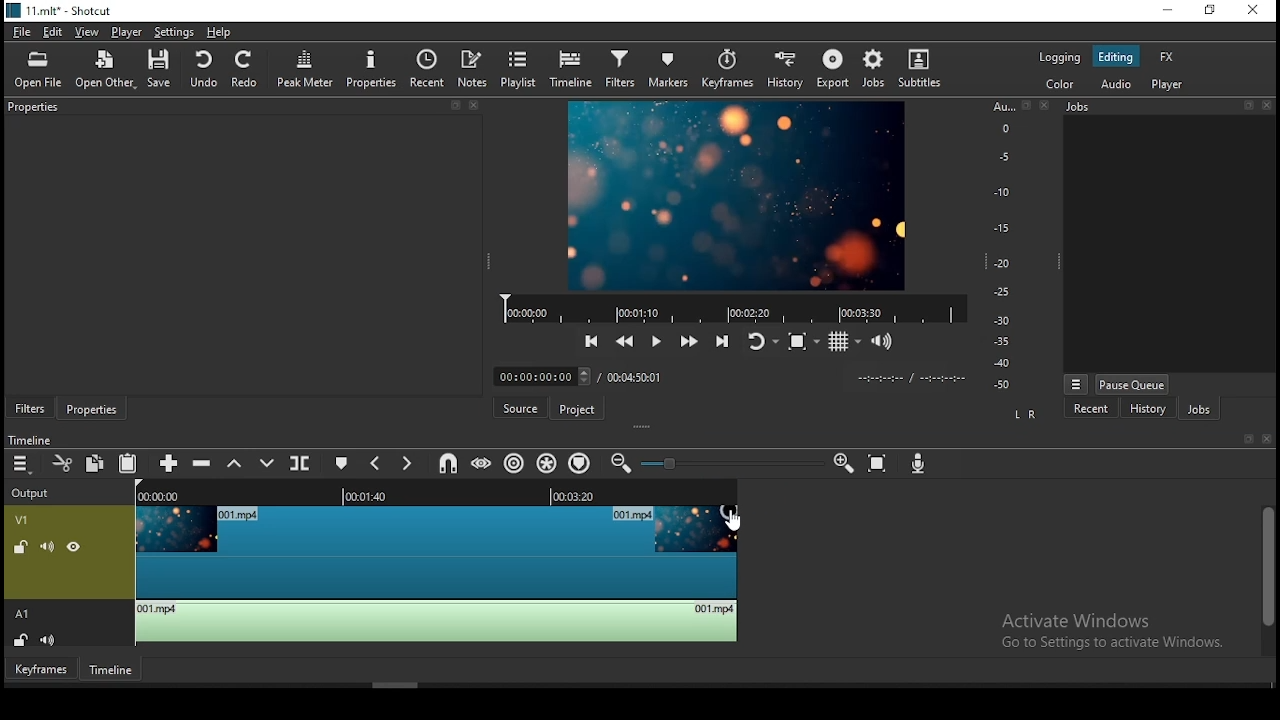  What do you see at coordinates (735, 309) in the screenshot?
I see `video progress bar` at bounding box center [735, 309].